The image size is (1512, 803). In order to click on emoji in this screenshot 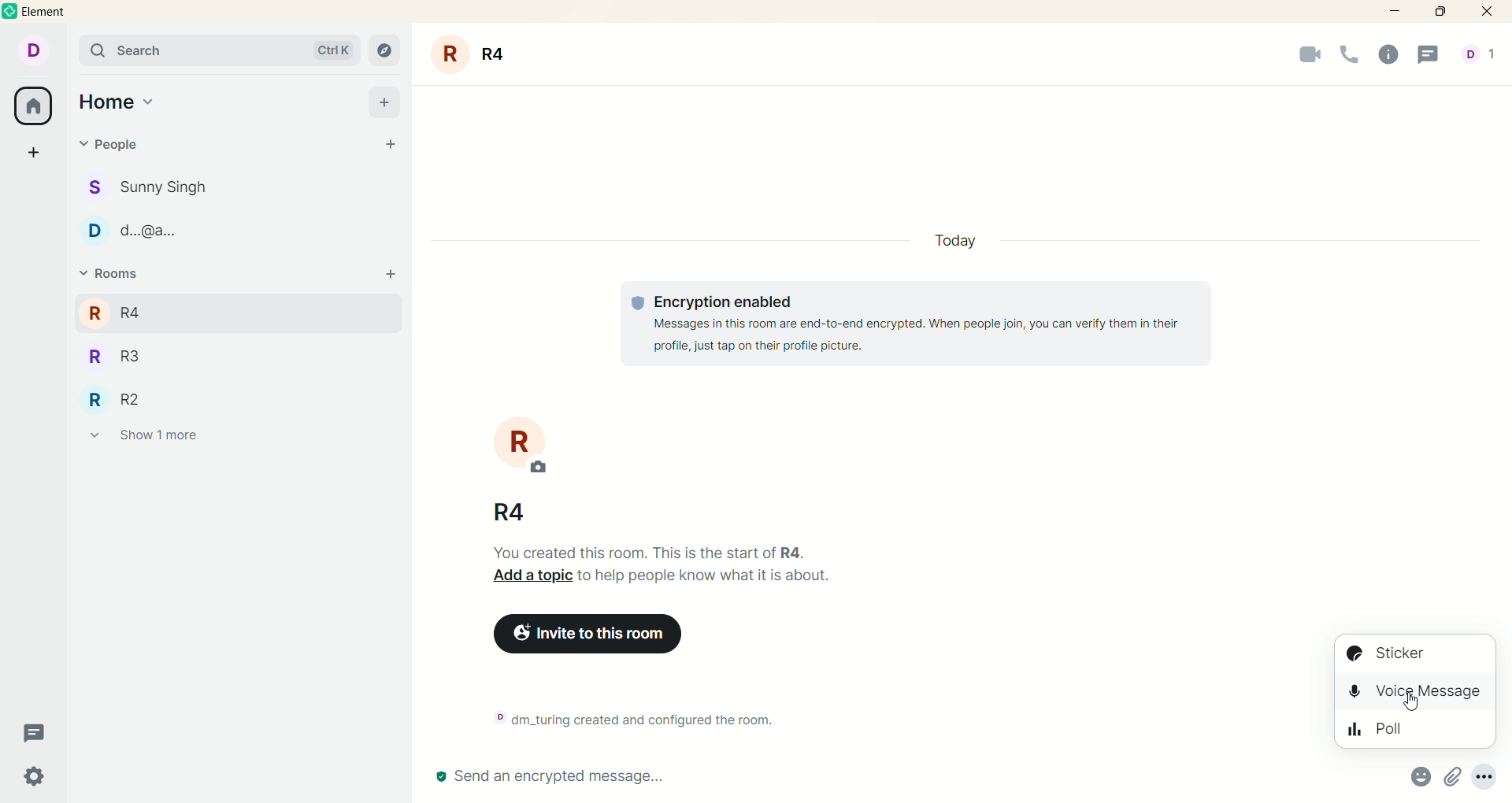, I will do `click(1417, 777)`.